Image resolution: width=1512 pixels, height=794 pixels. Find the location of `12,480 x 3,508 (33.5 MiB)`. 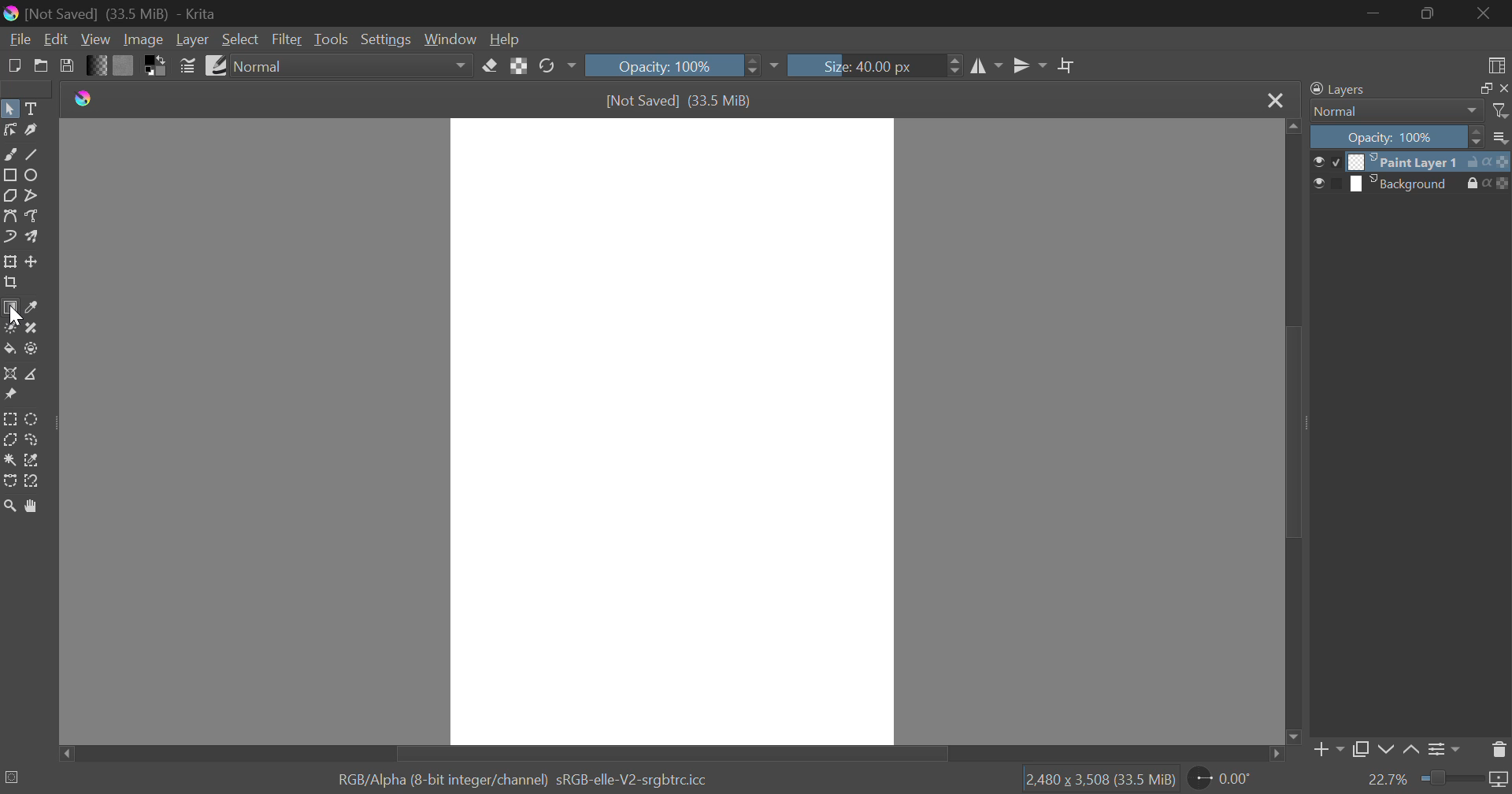

12,480 x 3,508 (33.5 MiB) is located at coordinates (1099, 779).